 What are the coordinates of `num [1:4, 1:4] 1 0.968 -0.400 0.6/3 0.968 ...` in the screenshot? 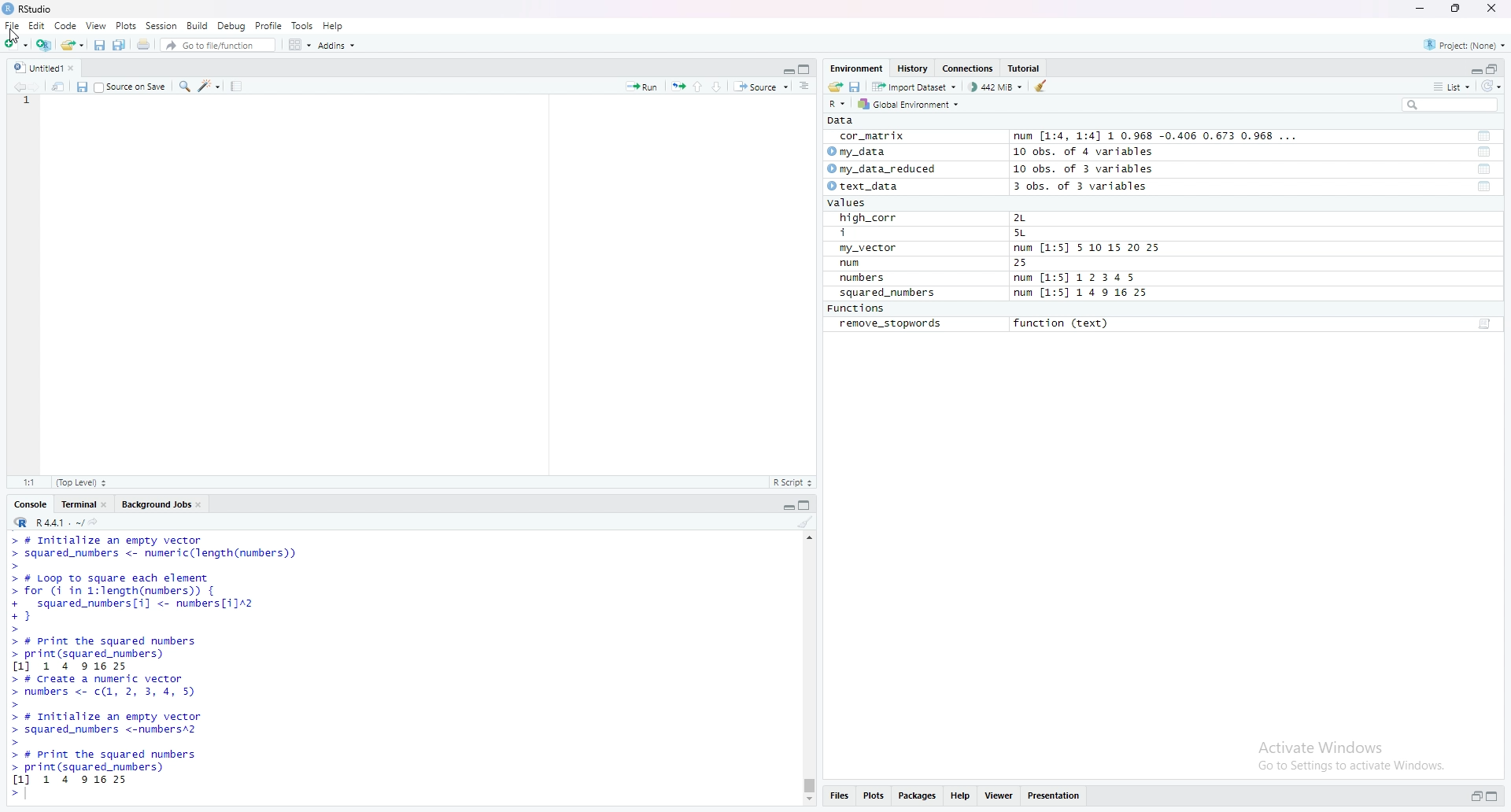 It's located at (1157, 133).